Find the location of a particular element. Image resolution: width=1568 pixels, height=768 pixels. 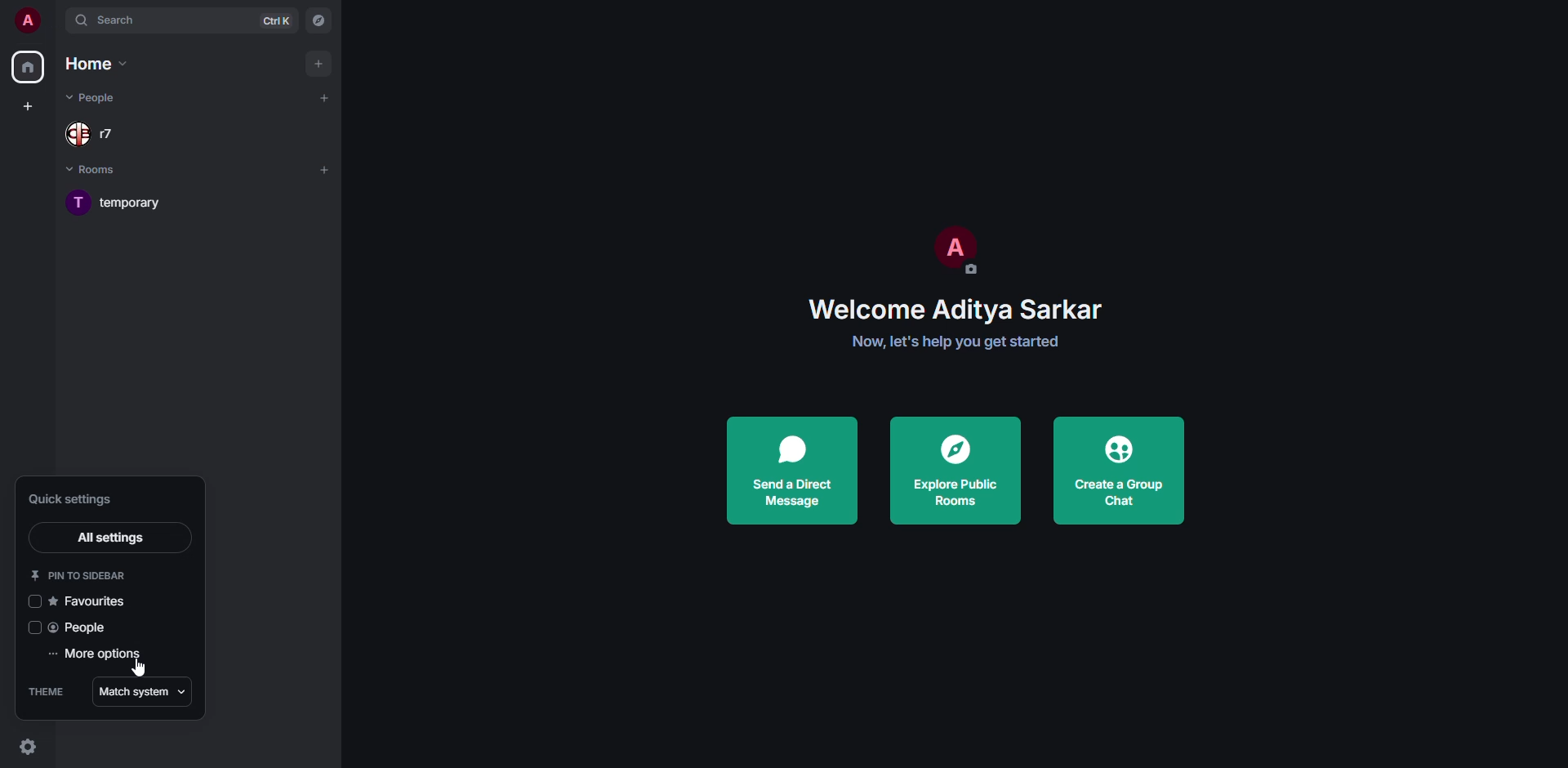

cursor is located at coordinates (139, 666).